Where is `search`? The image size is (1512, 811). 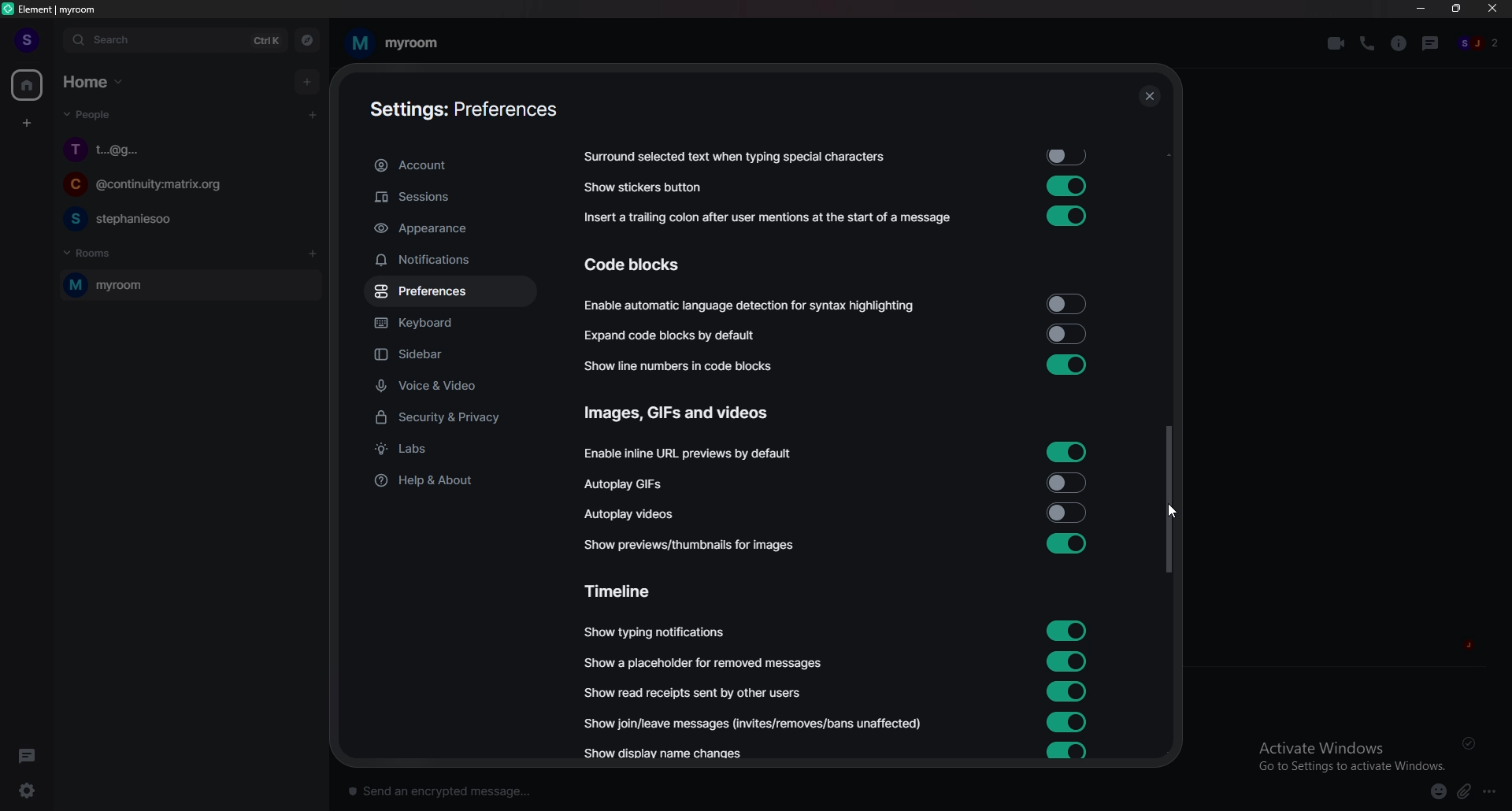
search is located at coordinates (174, 40).